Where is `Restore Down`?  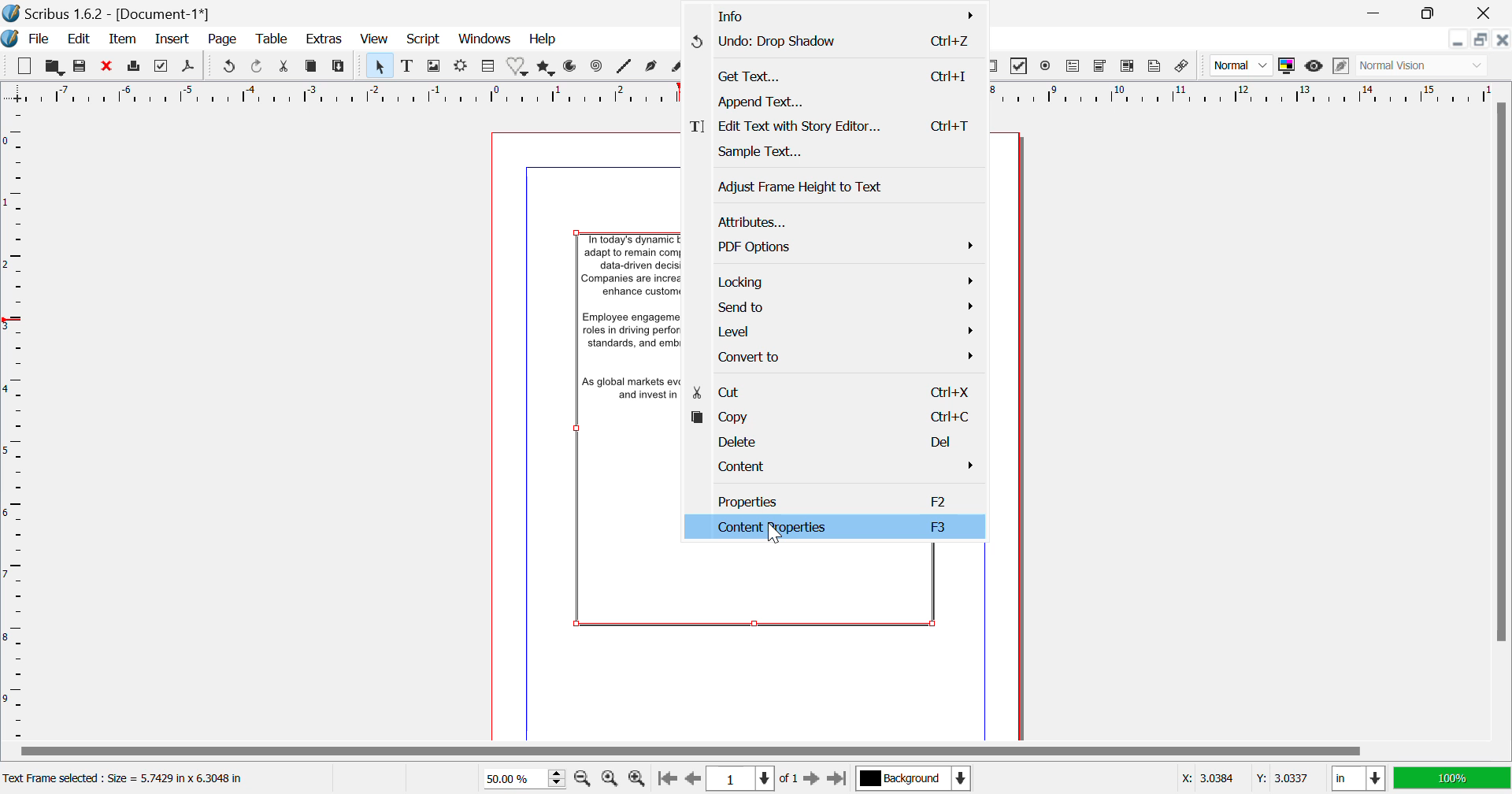 Restore Down is located at coordinates (1379, 12).